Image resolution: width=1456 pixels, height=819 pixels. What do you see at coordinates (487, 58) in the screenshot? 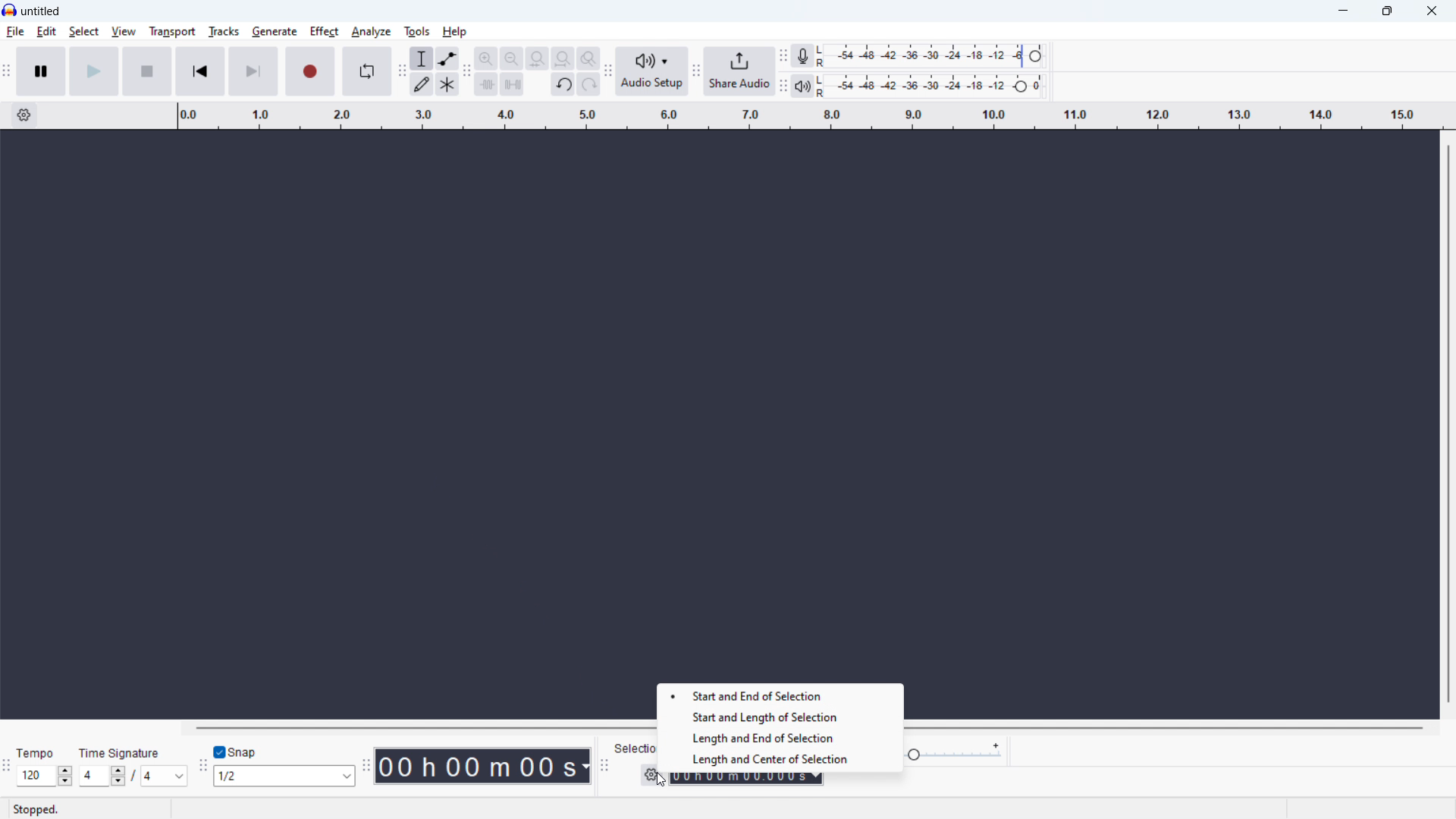
I see `zoom in` at bounding box center [487, 58].